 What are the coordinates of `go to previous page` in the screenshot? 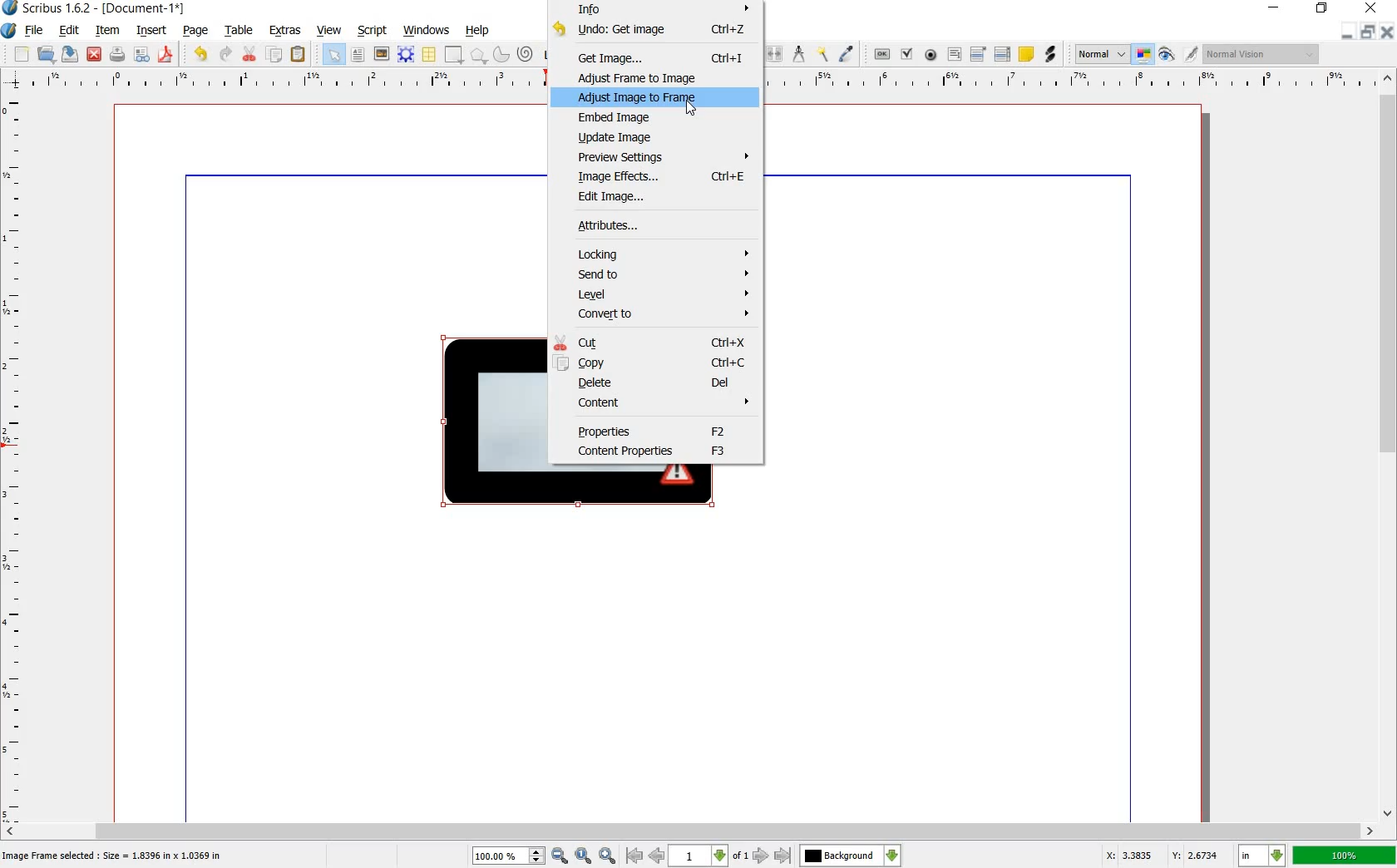 It's located at (656, 855).